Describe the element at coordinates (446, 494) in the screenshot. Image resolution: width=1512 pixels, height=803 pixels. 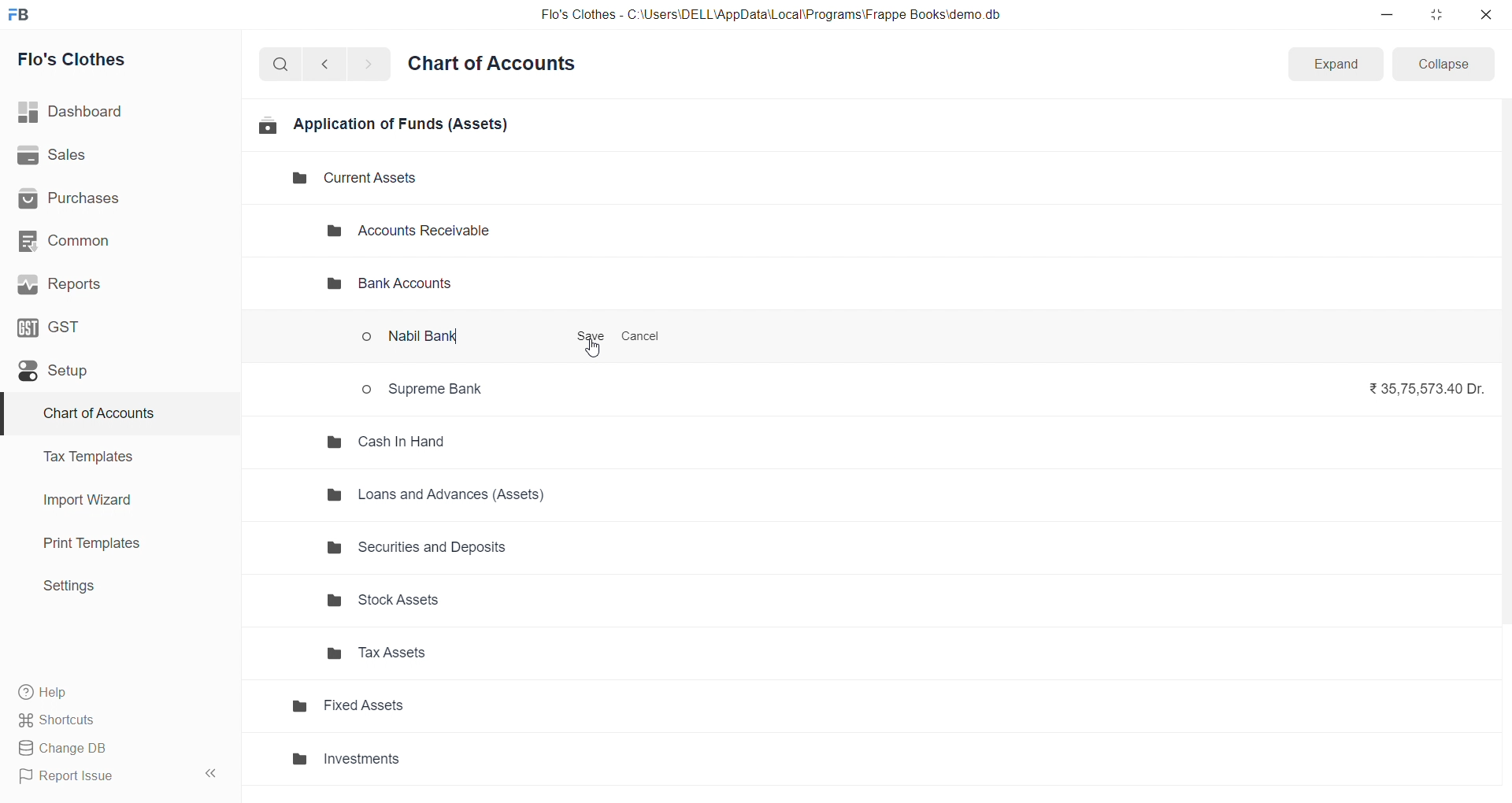
I see `Loans and Advances (Assets)` at that location.